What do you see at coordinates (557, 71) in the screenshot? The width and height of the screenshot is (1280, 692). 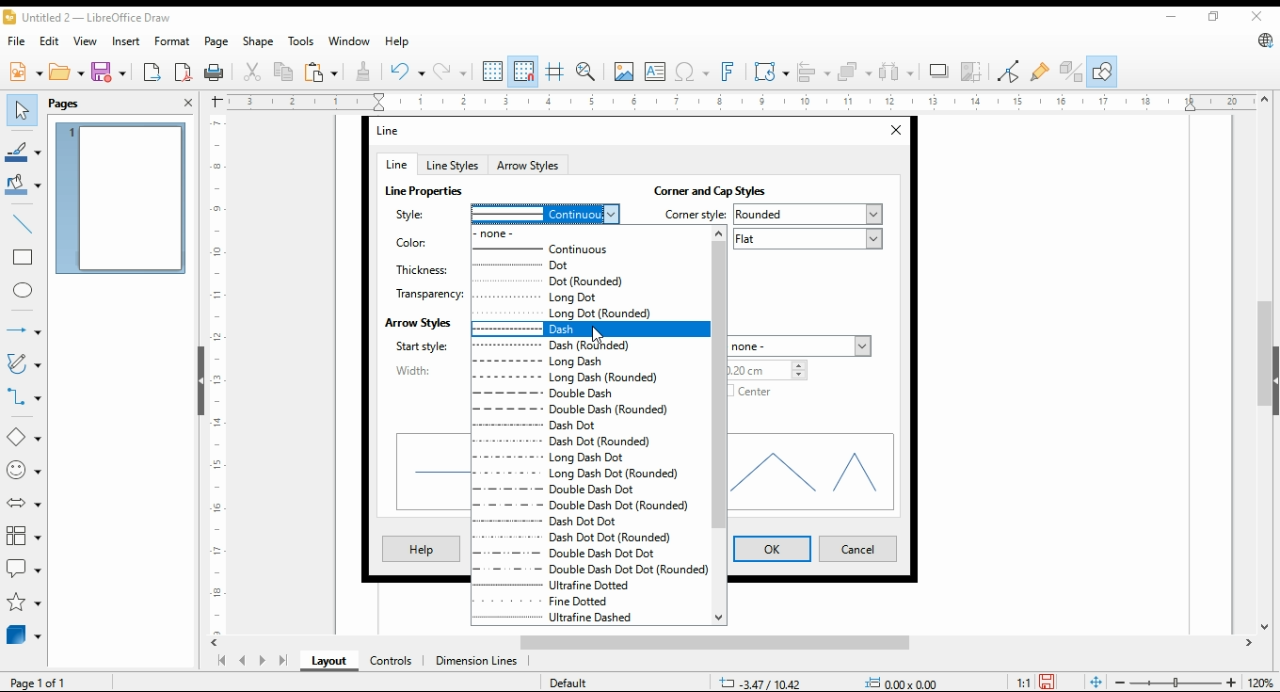 I see `helplines while moving` at bounding box center [557, 71].